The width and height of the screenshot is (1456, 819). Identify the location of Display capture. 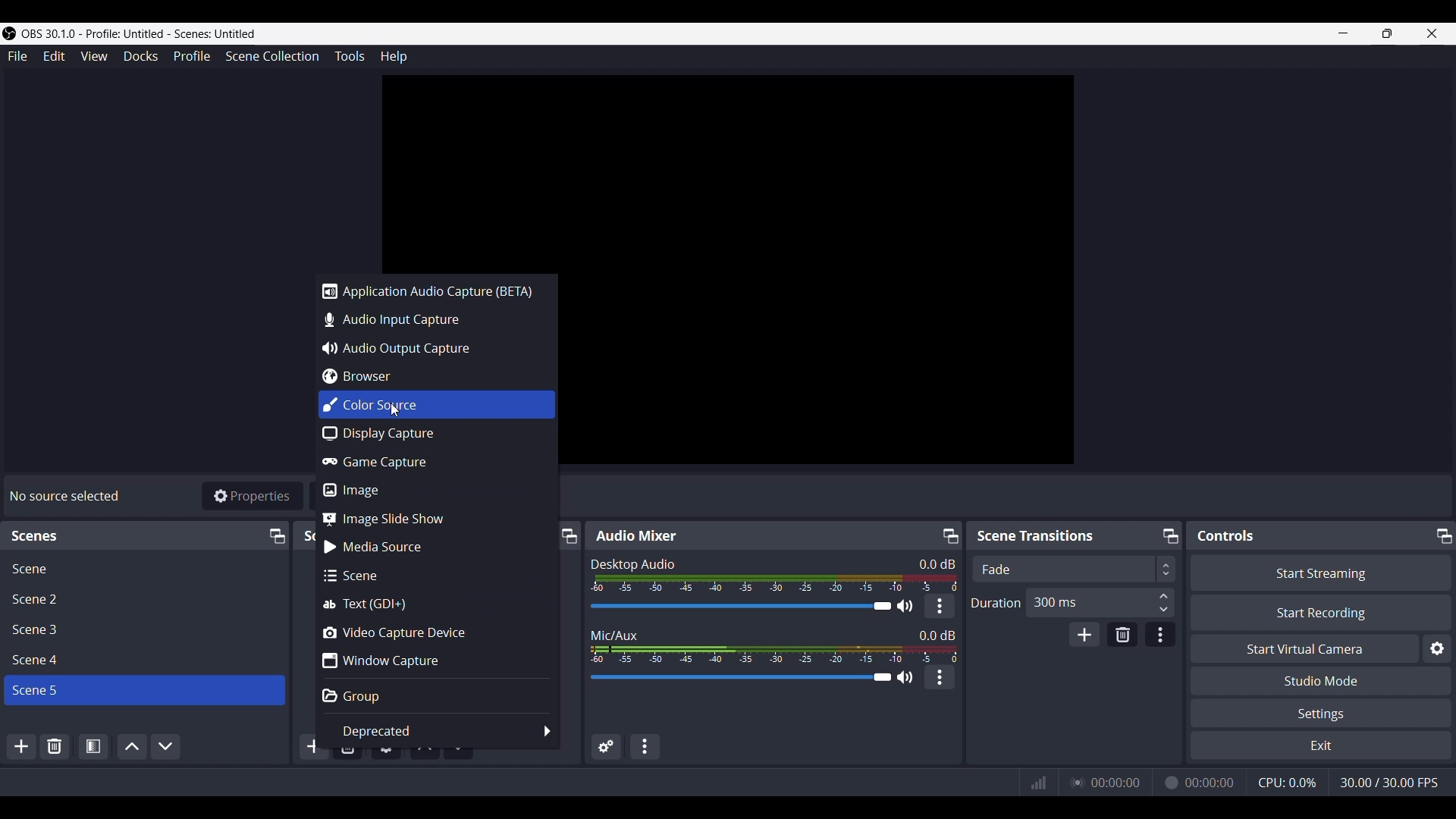
(433, 433).